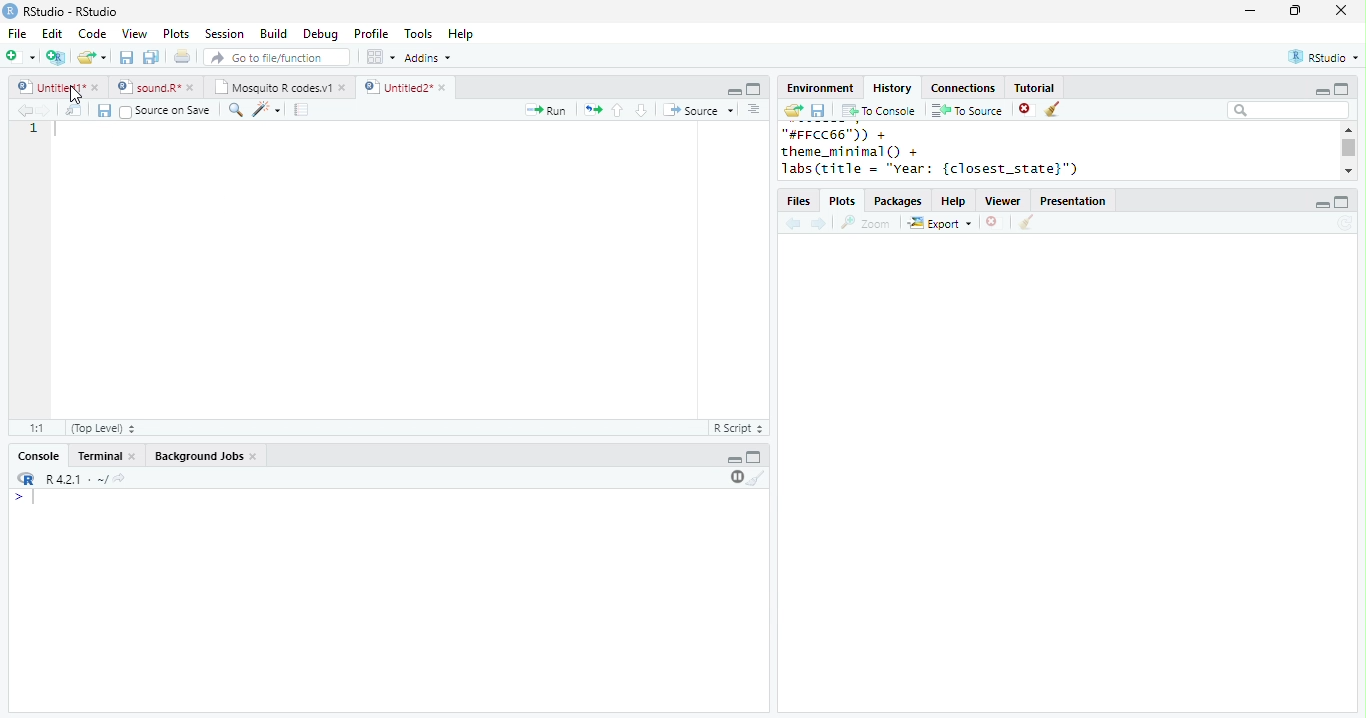  What do you see at coordinates (1033, 87) in the screenshot?
I see `Tutorial` at bounding box center [1033, 87].